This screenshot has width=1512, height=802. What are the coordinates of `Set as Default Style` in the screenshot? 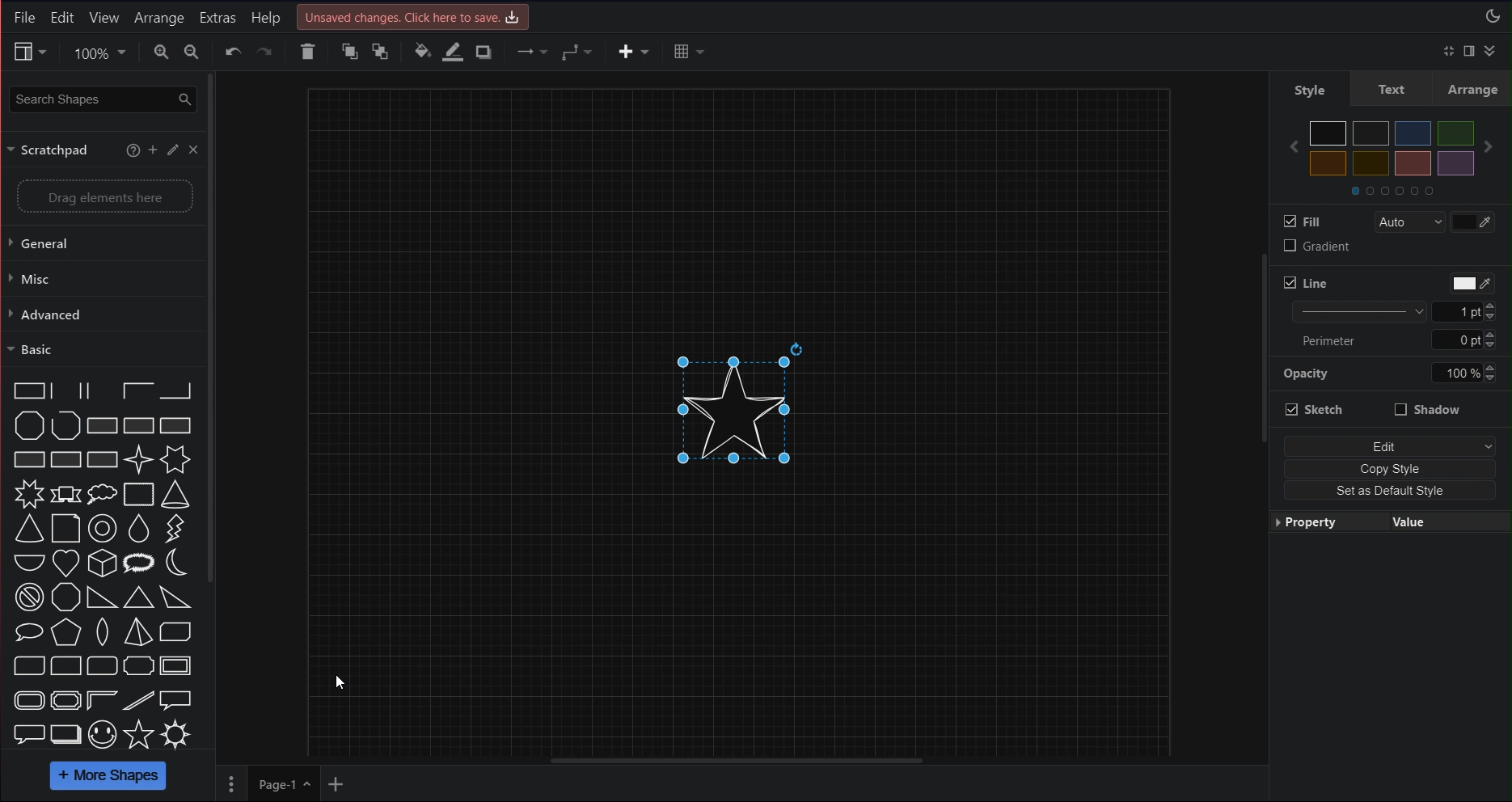 It's located at (1390, 491).